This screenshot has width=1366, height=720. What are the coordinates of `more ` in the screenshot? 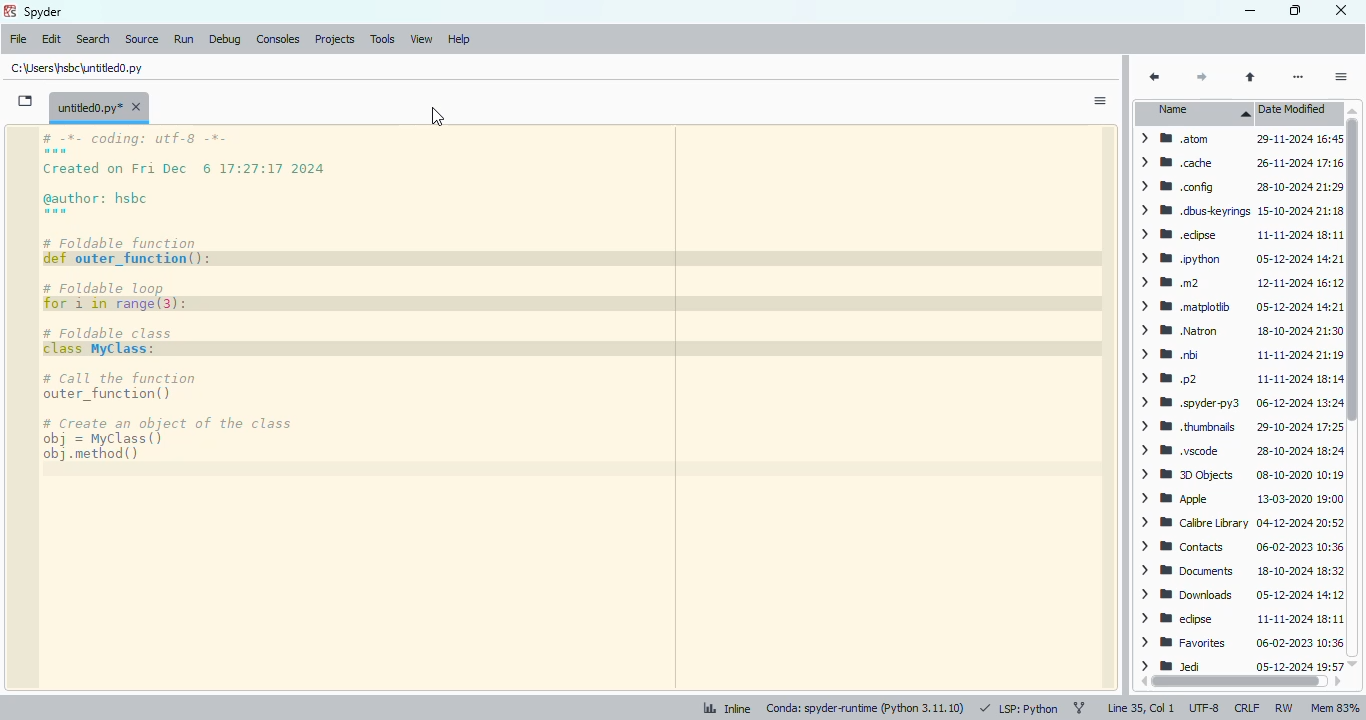 It's located at (1299, 77).